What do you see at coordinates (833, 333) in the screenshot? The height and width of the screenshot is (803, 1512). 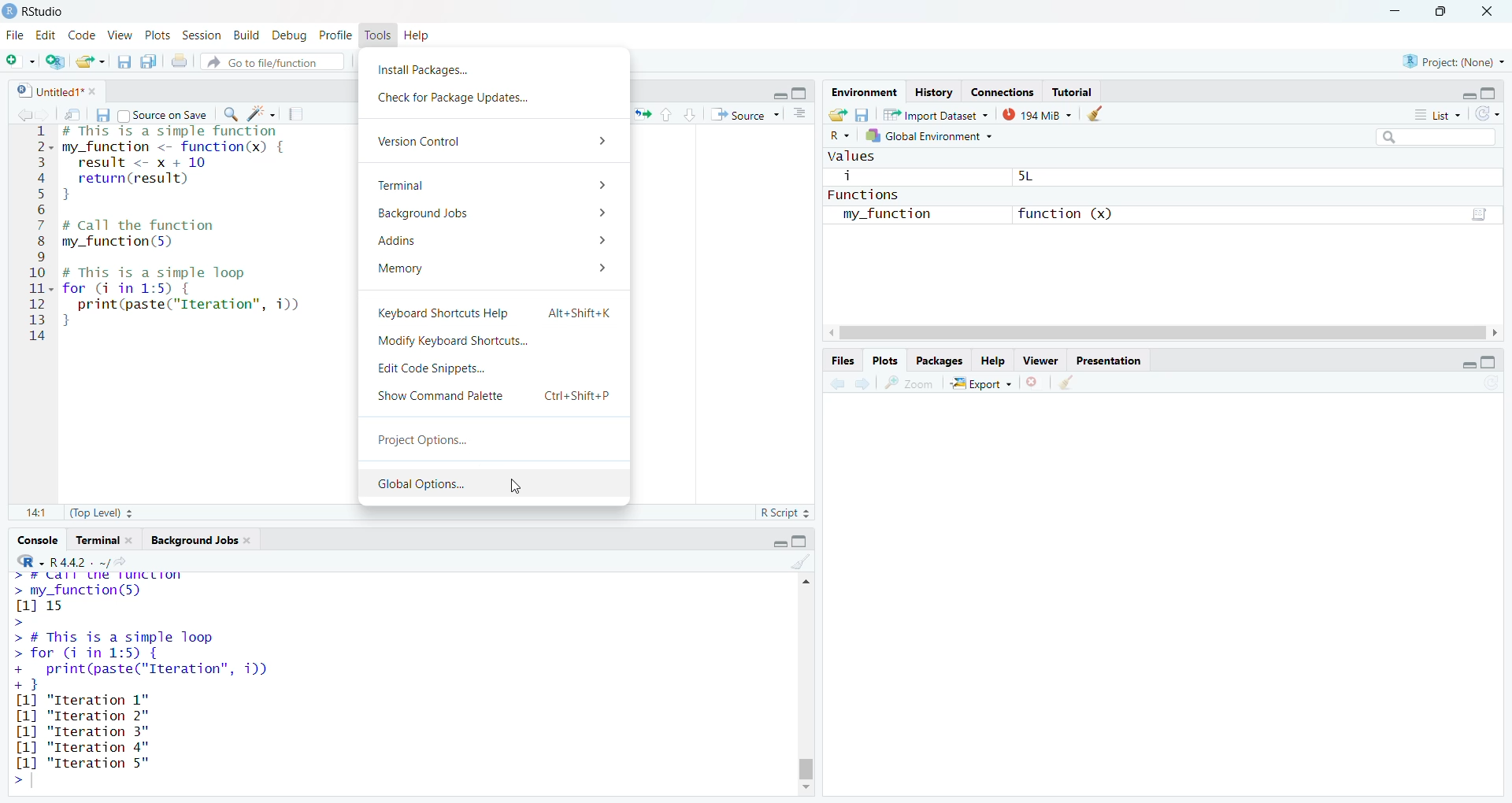 I see `move left` at bounding box center [833, 333].